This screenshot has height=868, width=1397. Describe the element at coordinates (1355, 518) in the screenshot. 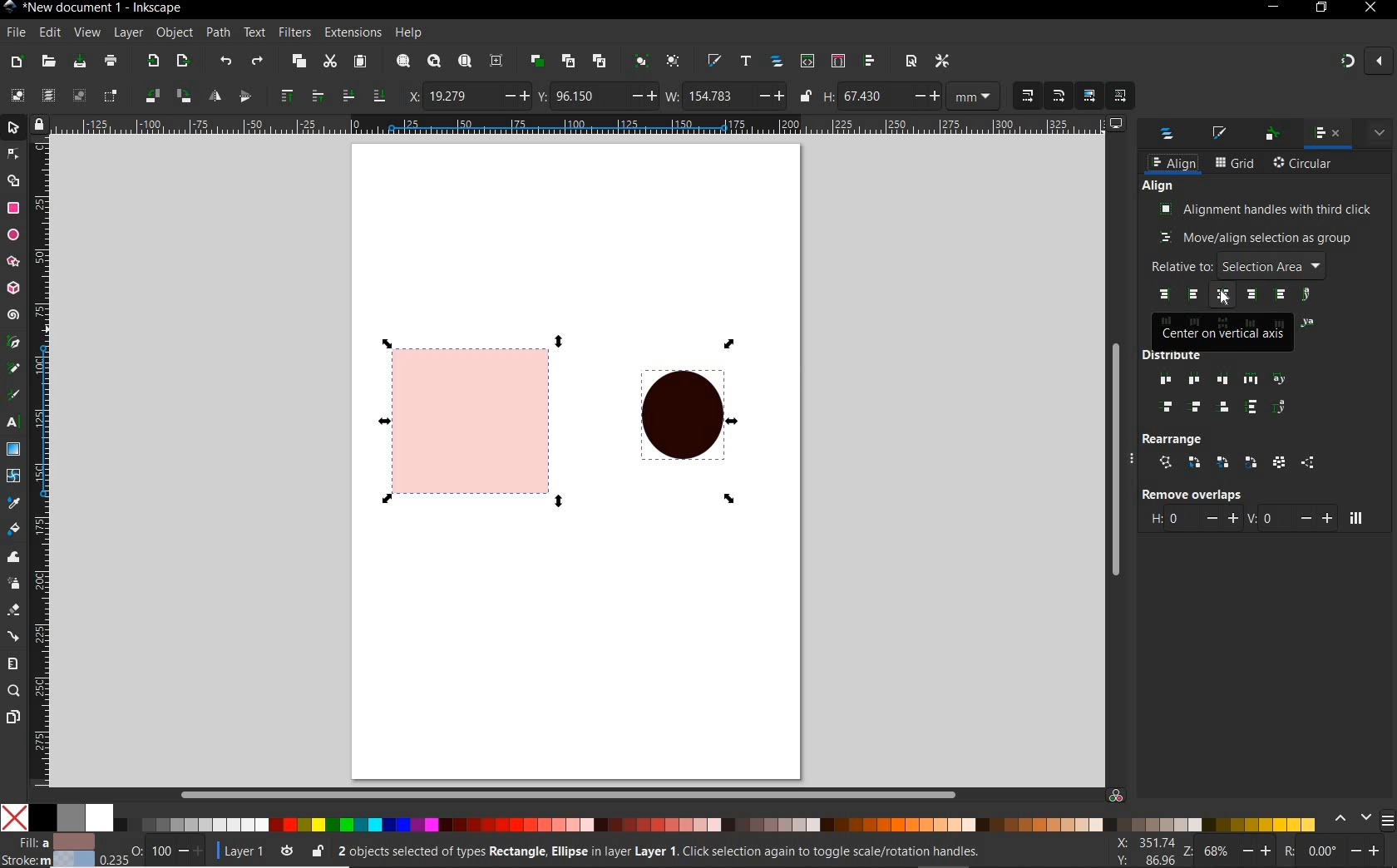

I see `MOVE OBJECTS AS LITTLE AS POSSIBLE SO THAT THEIR BOUNDING BOXES DO NOT OVERLAP` at that location.